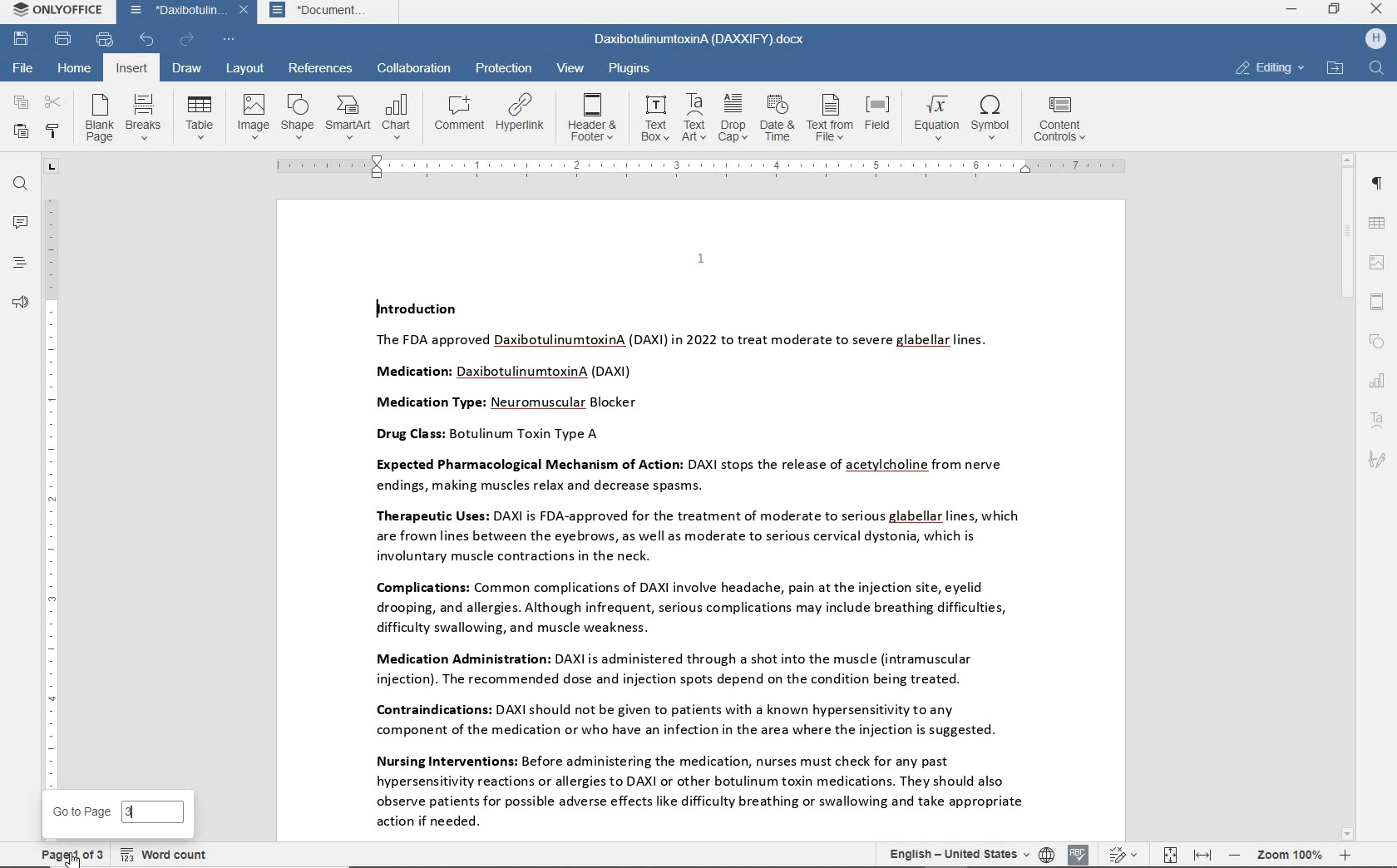 The image size is (1397, 868). Describe the element at coordinates (700, 41) in the screenshot. I see `DaxibotulinumtoxinA (DAXXIFY).docx` at that location.